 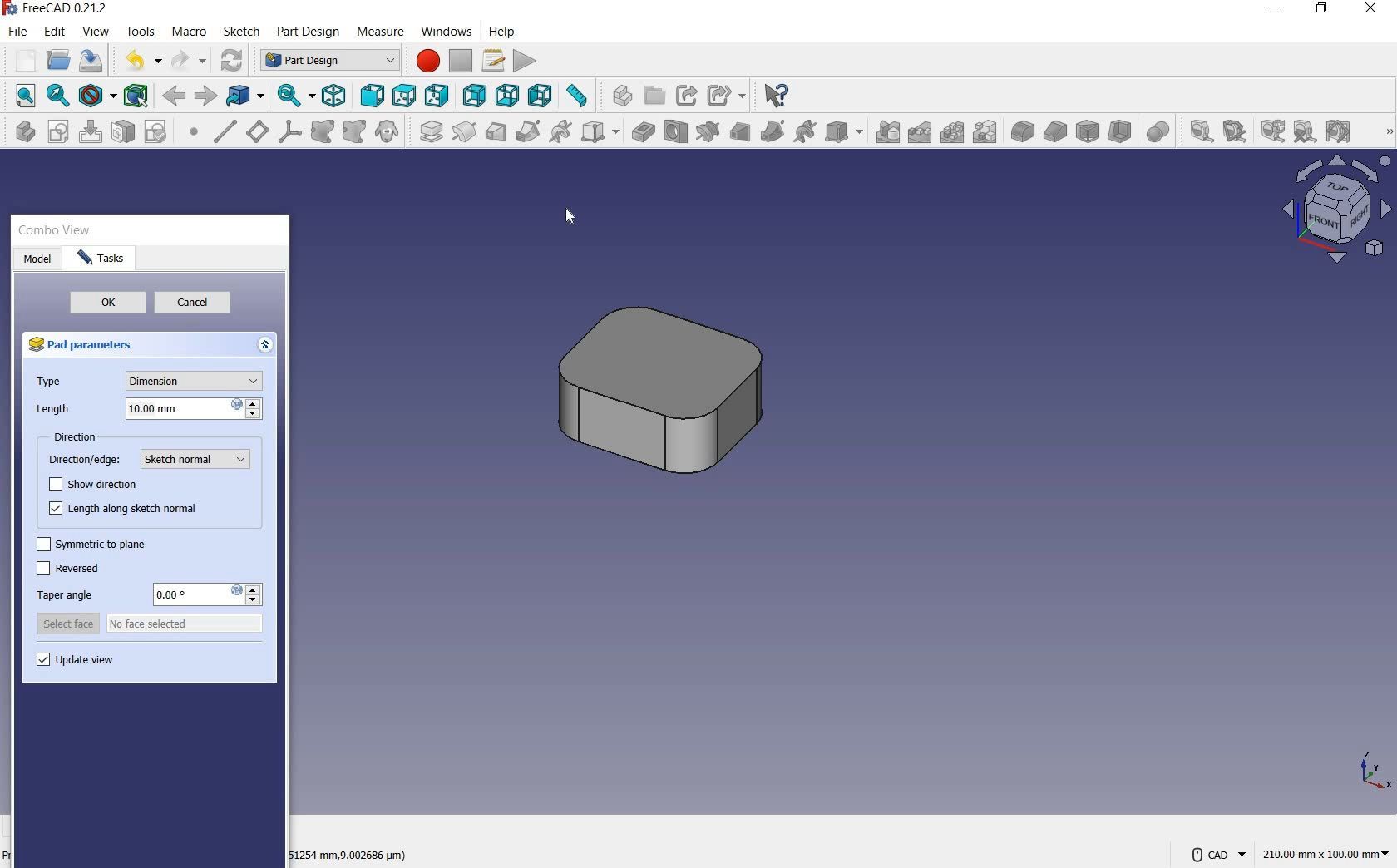 What do you see at coordinates (190, 304) in the screenshot?
I see `cancel` at bounding box center [190, 304].